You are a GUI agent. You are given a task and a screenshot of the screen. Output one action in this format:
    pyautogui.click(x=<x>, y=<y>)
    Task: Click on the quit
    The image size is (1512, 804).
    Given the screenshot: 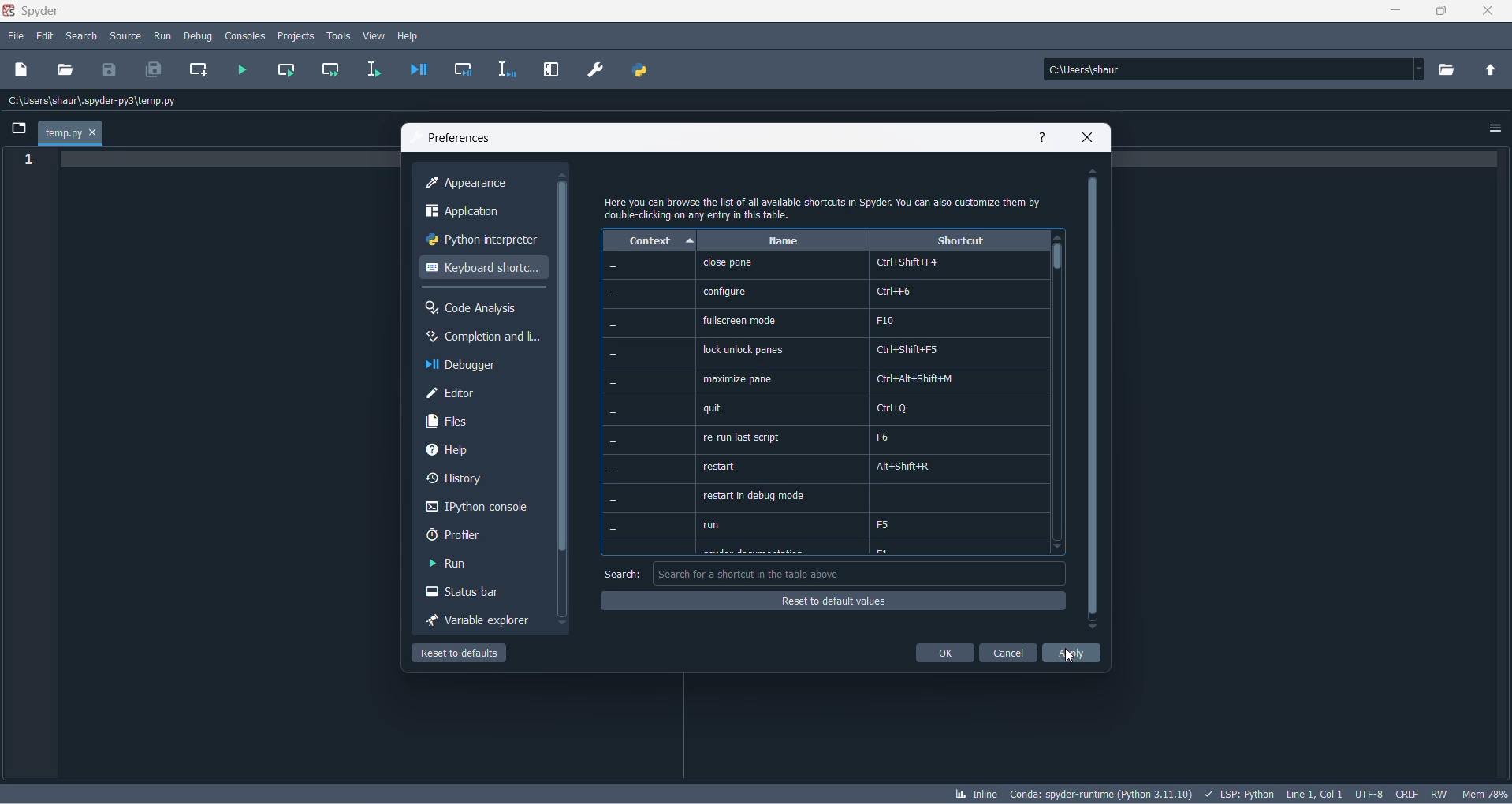 What is the action you would take?
    pyautogui.click(x=713, y=408)
    